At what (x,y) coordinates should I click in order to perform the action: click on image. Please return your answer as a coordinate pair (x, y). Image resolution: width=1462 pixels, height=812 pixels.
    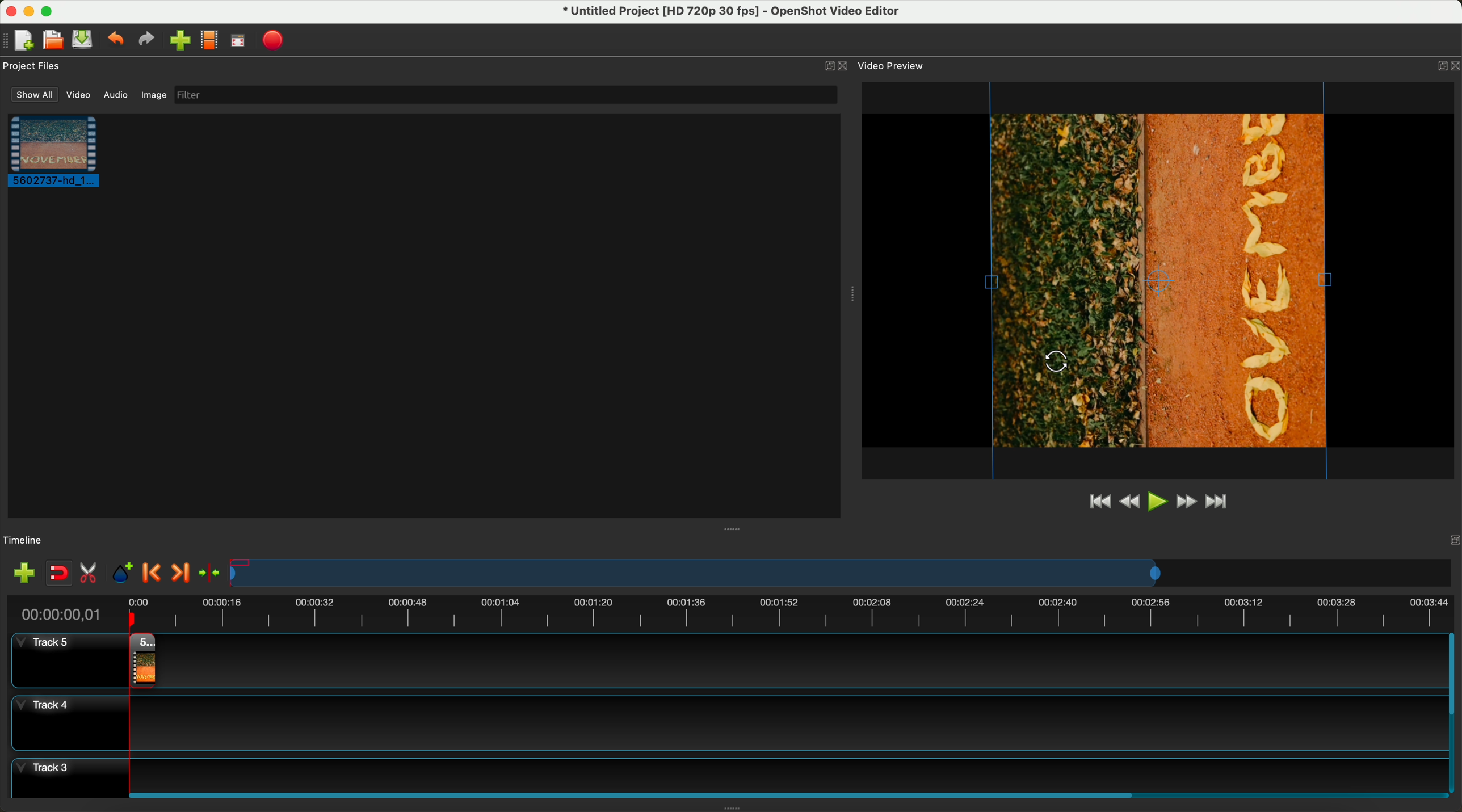
    Looking at the image, I should click on (154, 95).